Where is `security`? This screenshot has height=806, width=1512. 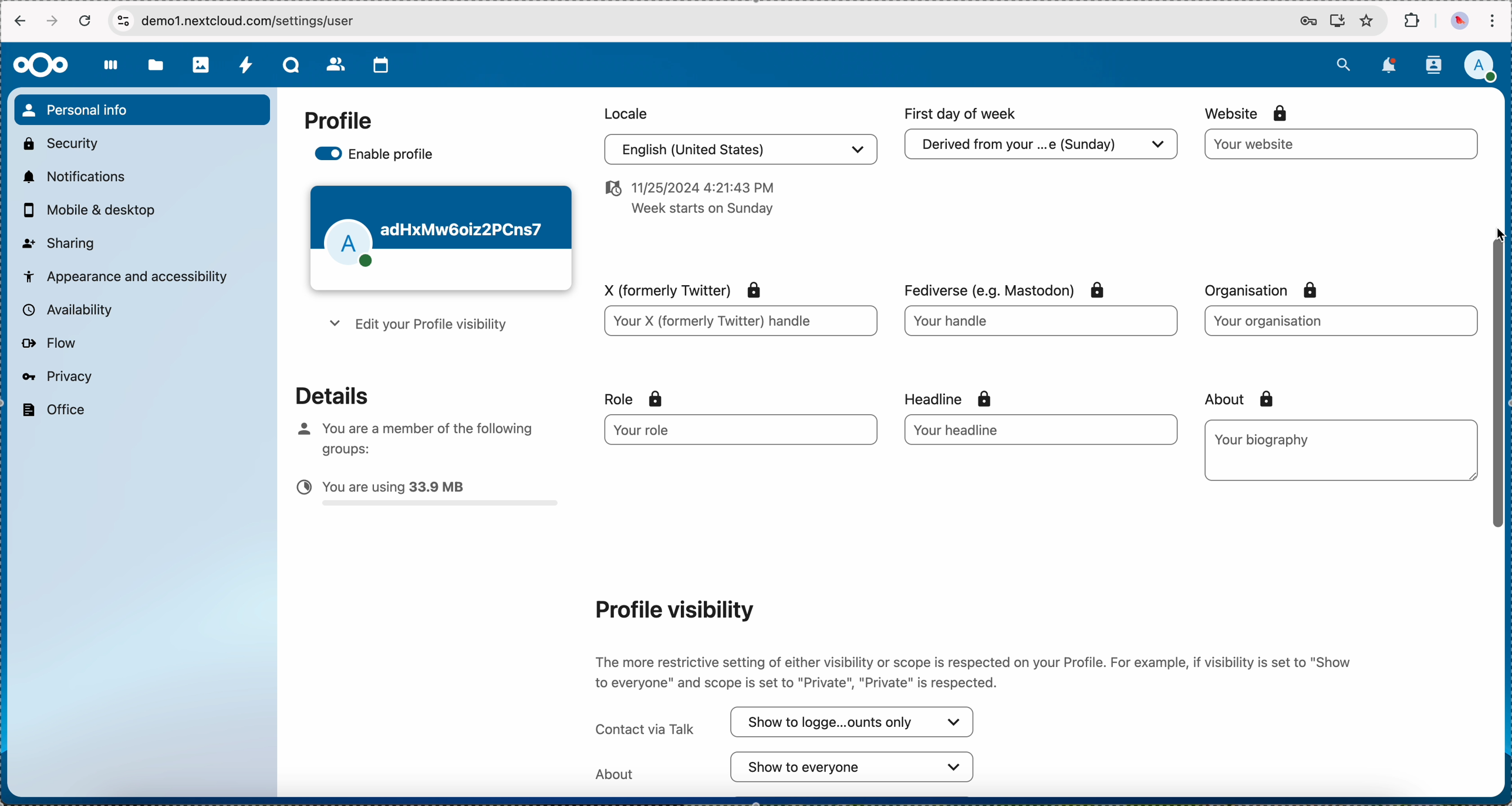
security is located at coordinates (59, 142).